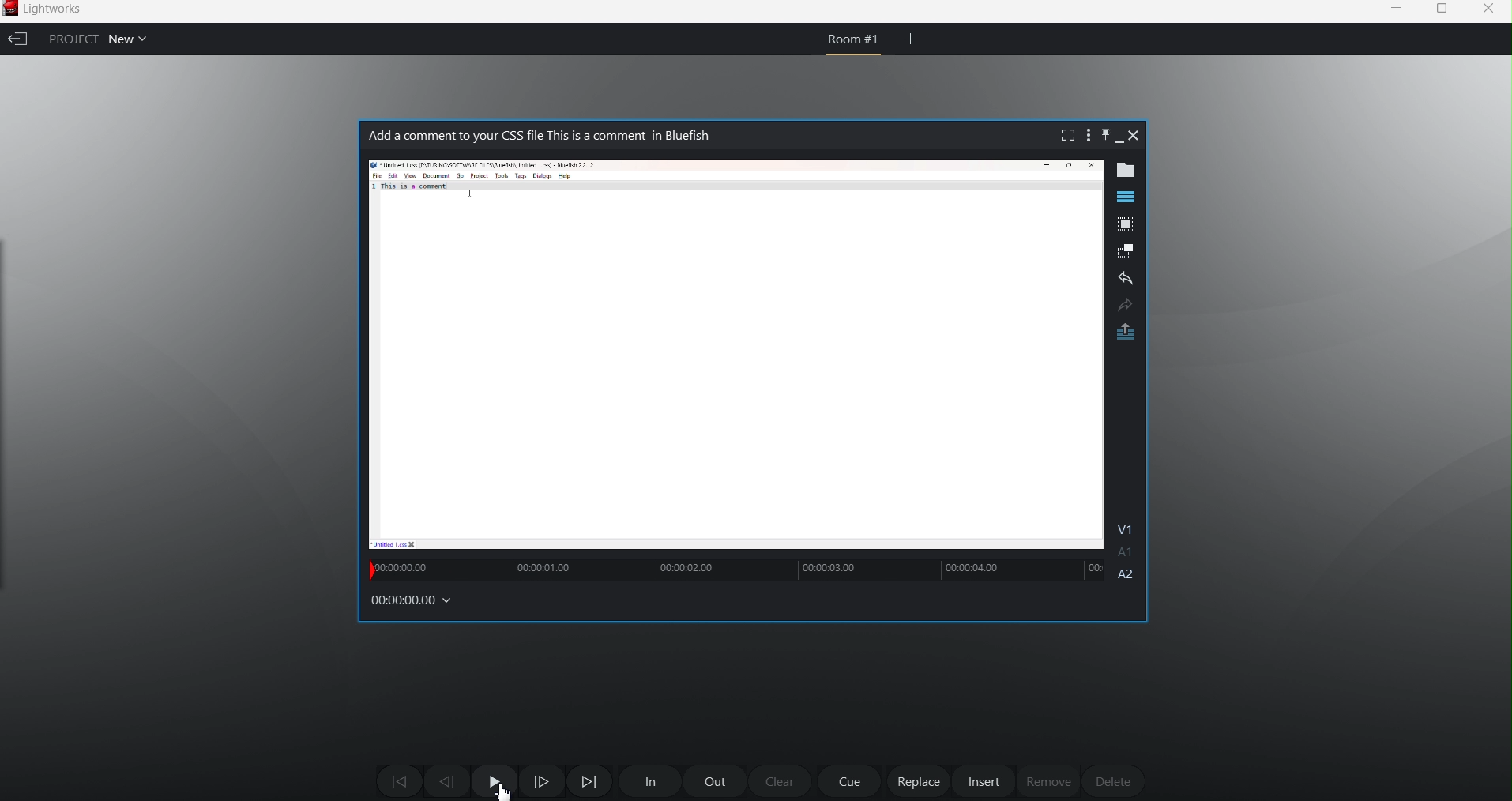  Describe the element at coordinates (1126, 553) in the screenshot. I see `A1` at that location.